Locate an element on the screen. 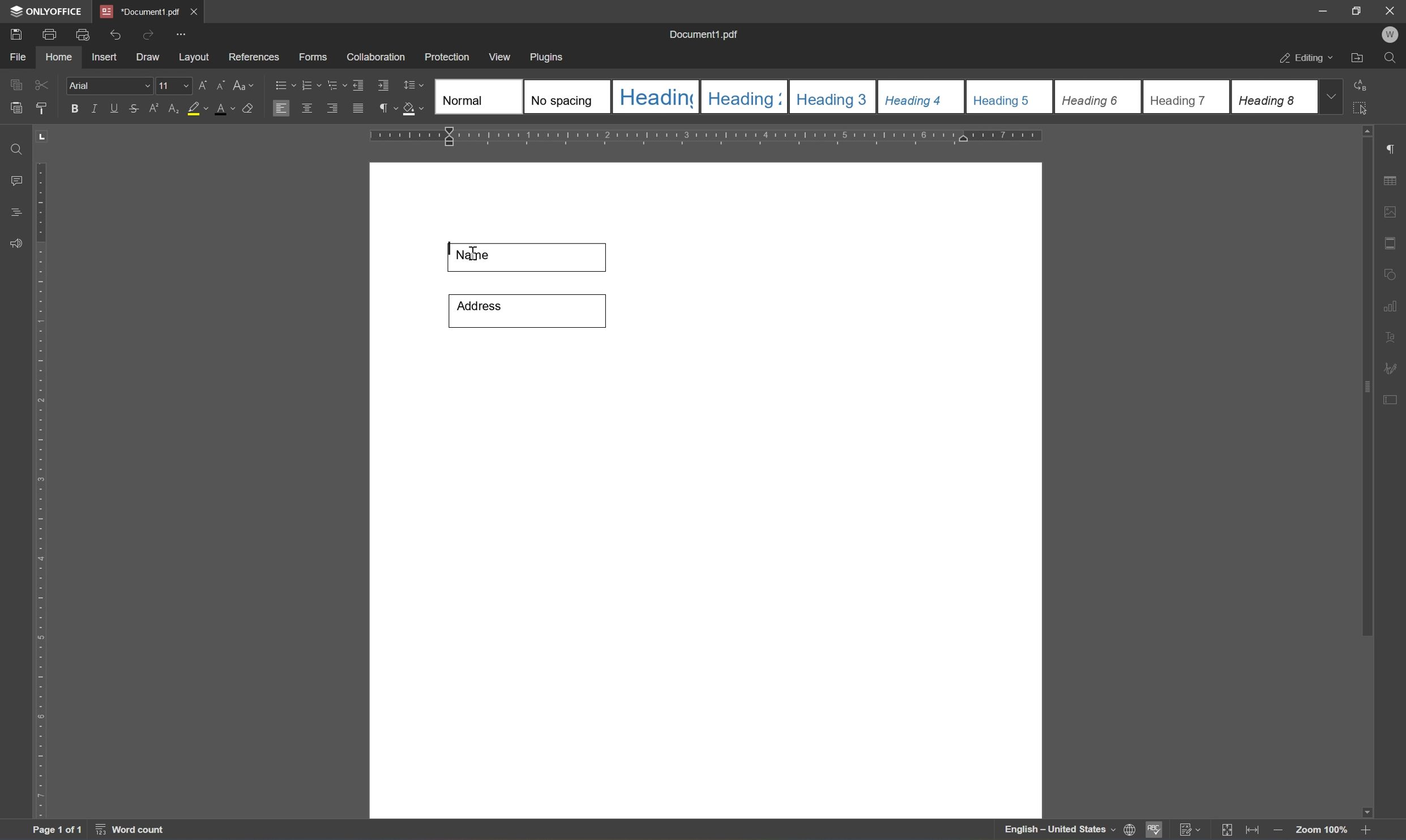  ruler is located at coordinates (41, 491).